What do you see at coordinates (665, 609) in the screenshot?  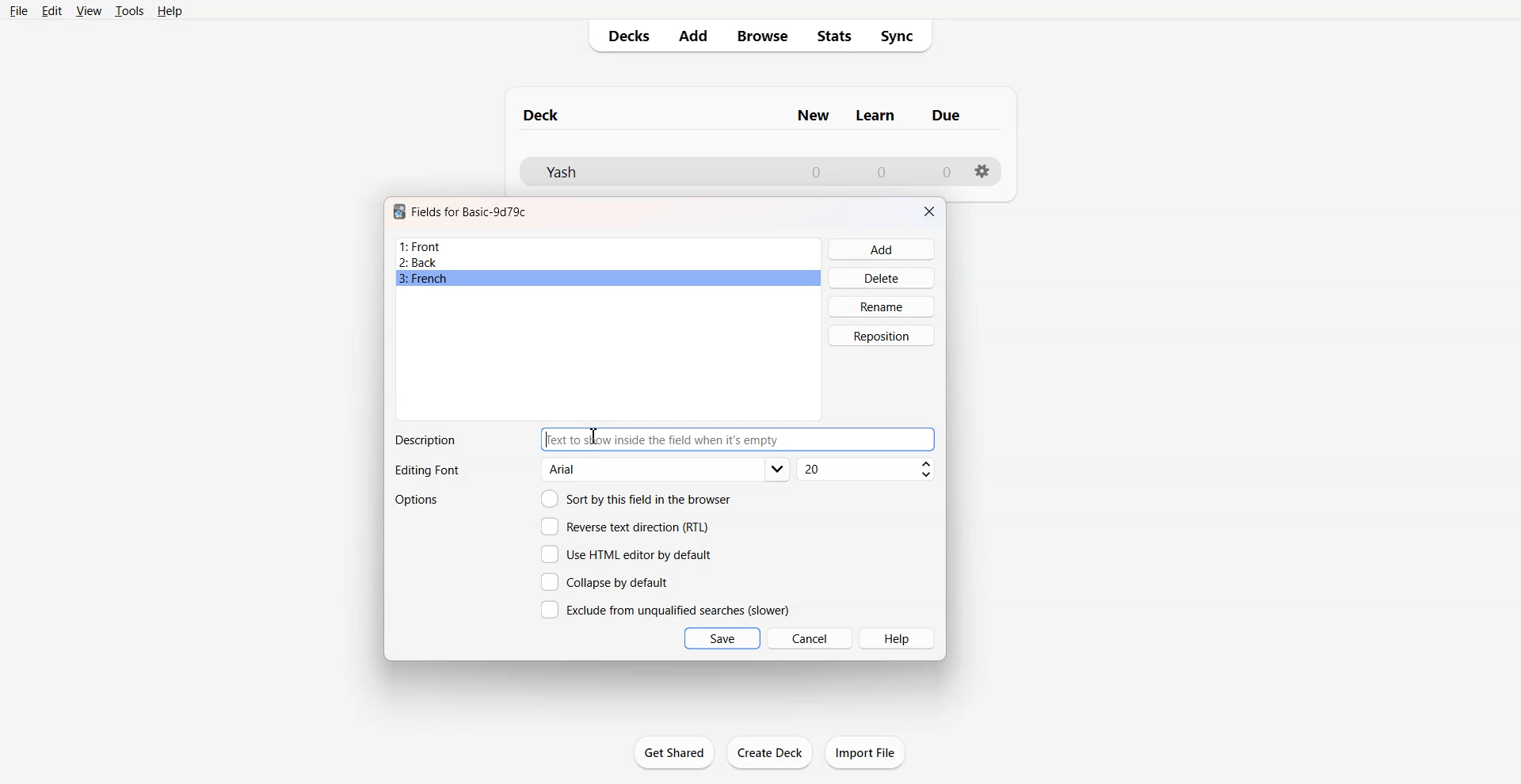 I see `Exclude from unqualified searches (slower)` at bounding box center [665, 609].